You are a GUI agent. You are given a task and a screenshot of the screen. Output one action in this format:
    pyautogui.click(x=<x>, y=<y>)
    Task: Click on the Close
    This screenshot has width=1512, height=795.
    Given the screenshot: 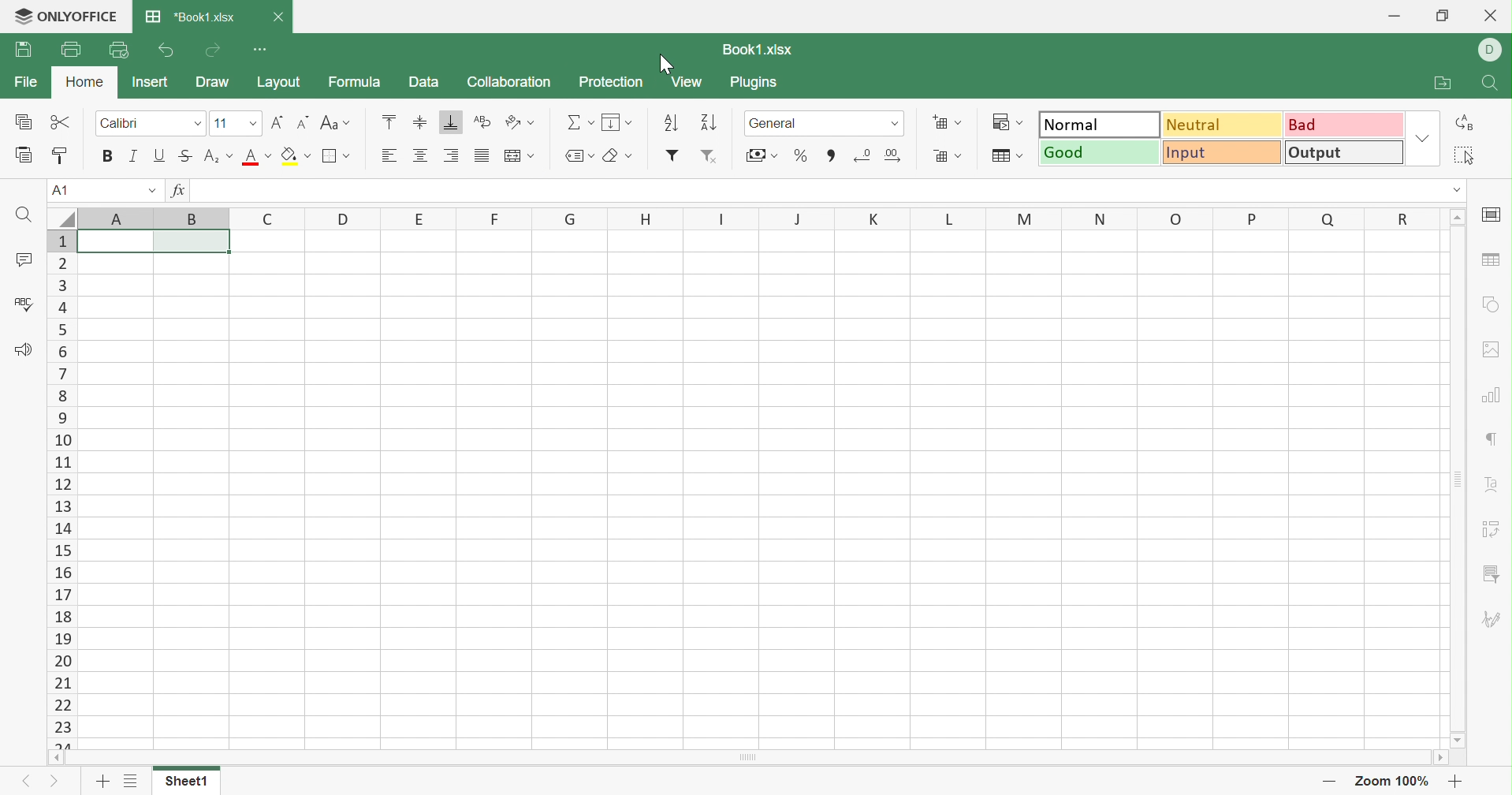 What is the action you would take?
    pyautogui.click(x=1492, y=15)
    